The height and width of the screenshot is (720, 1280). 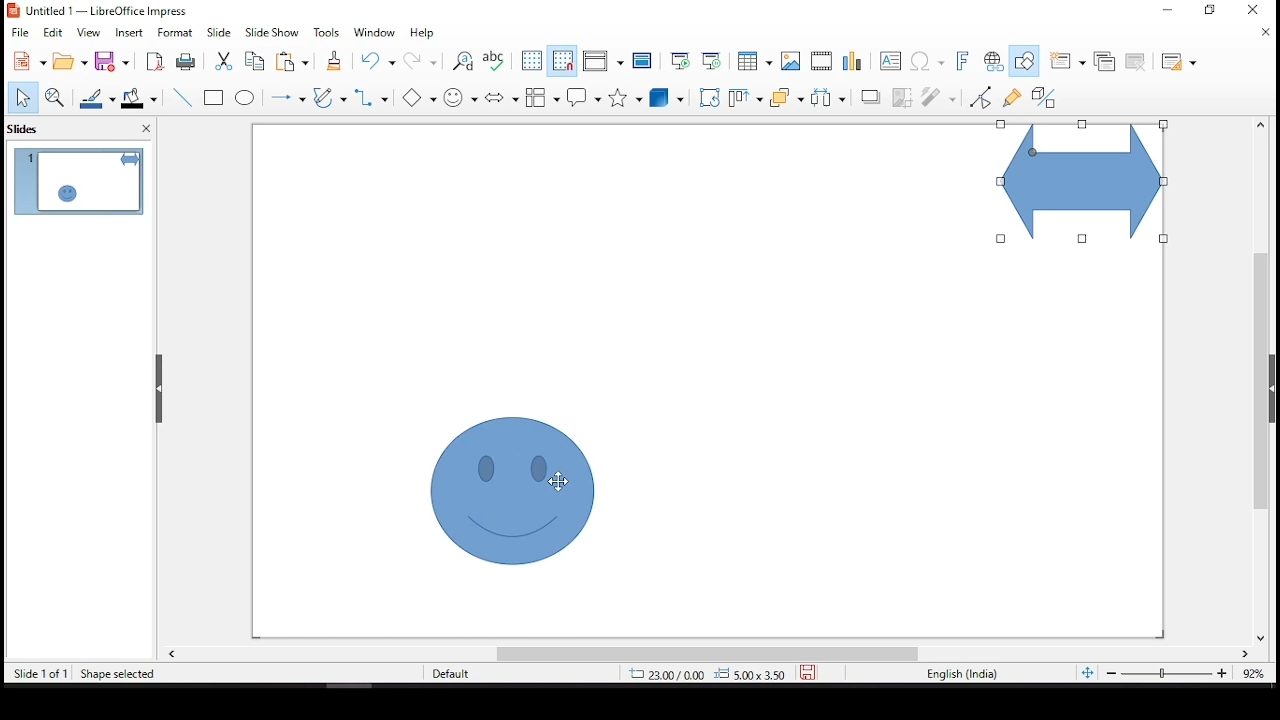 What do you see at coordinates (1106, 59) in the screenshot?
I see `duplicate slide` at bounding box center [1106, 59].